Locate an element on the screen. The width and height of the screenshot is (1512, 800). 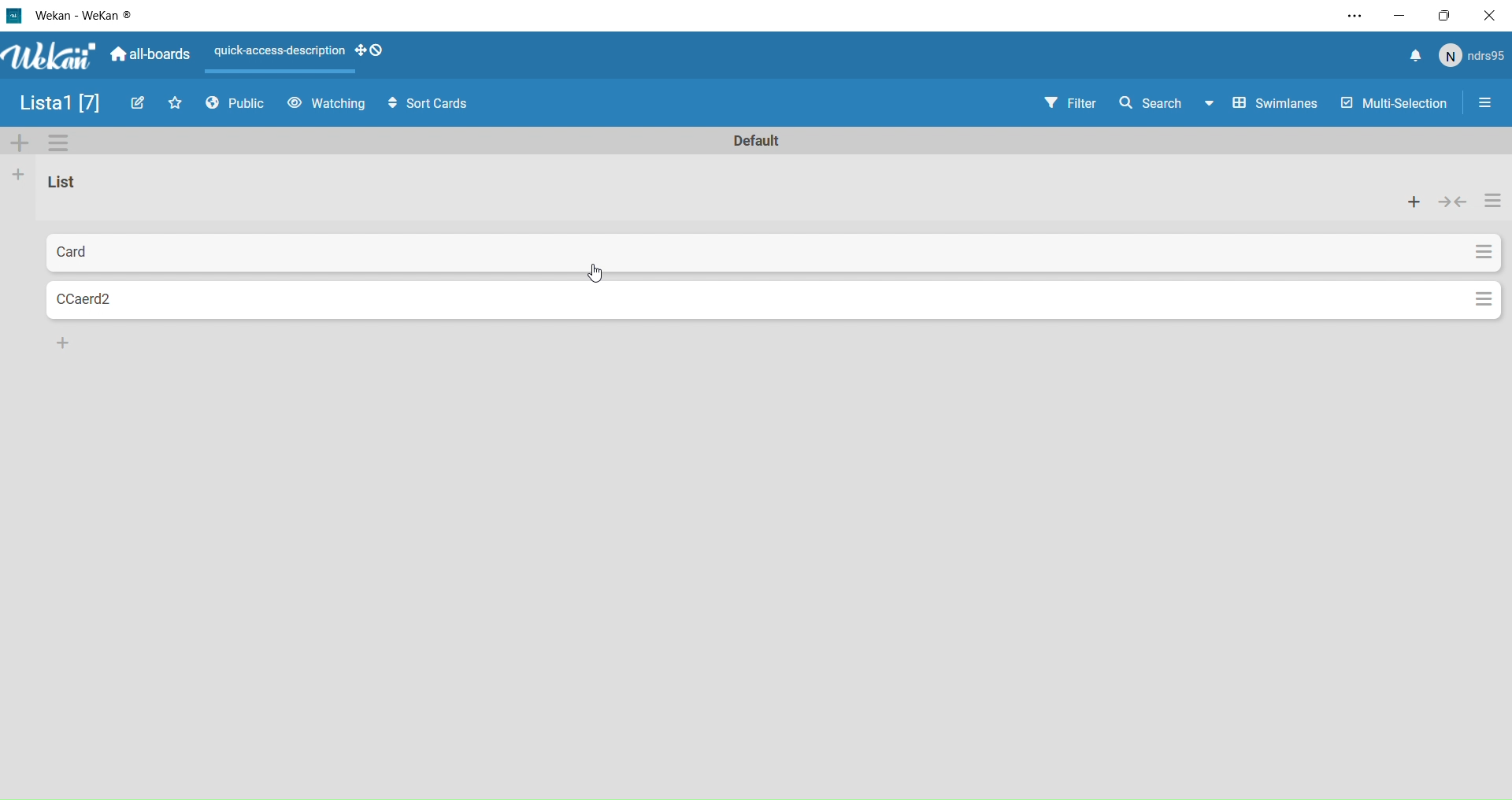
All Boards is located at coordinates (153, 57).